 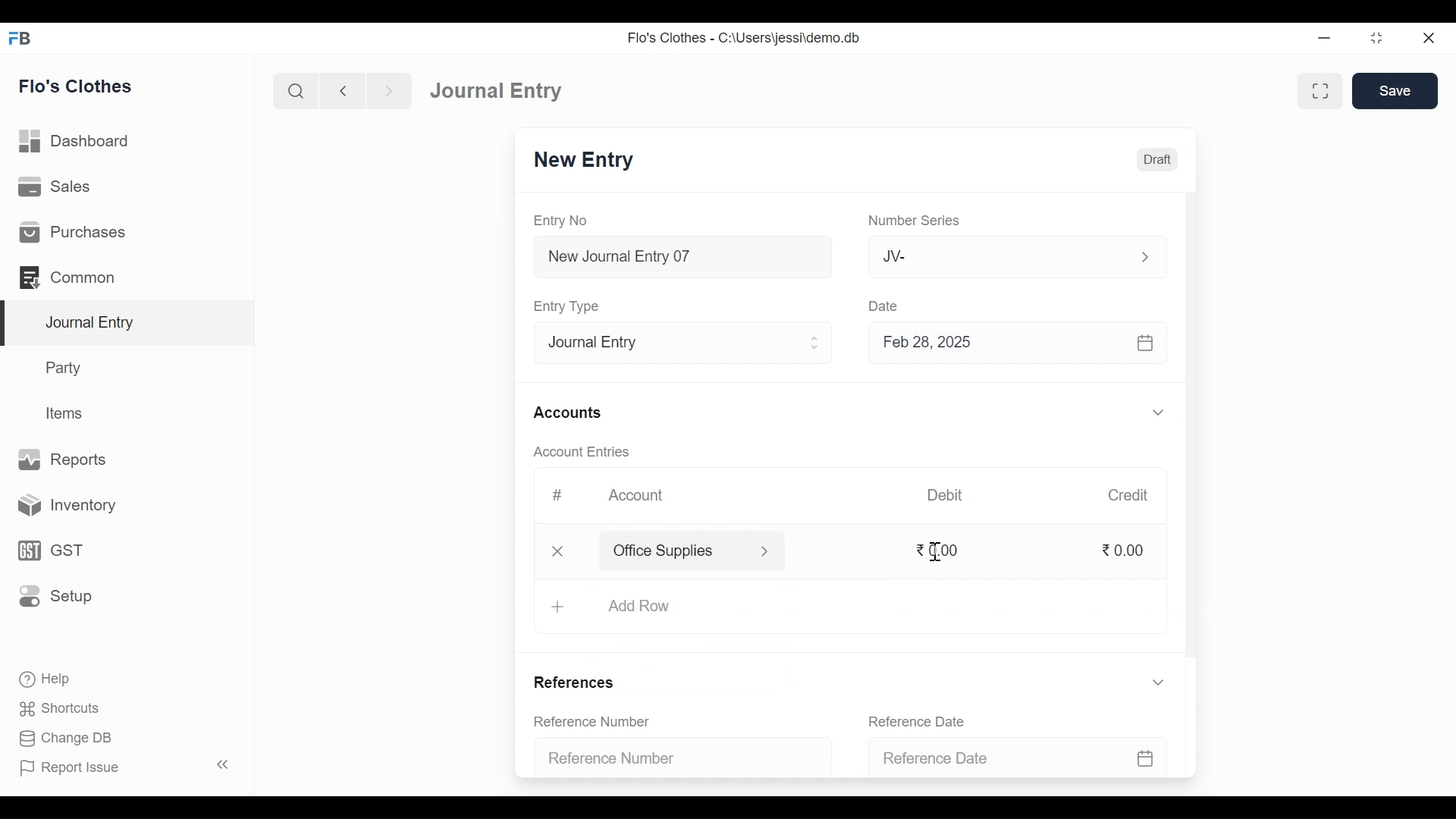 What do you see at coordinates (43, 677) in the screenshot?
I see `Help` at bounding box center [43, 677].